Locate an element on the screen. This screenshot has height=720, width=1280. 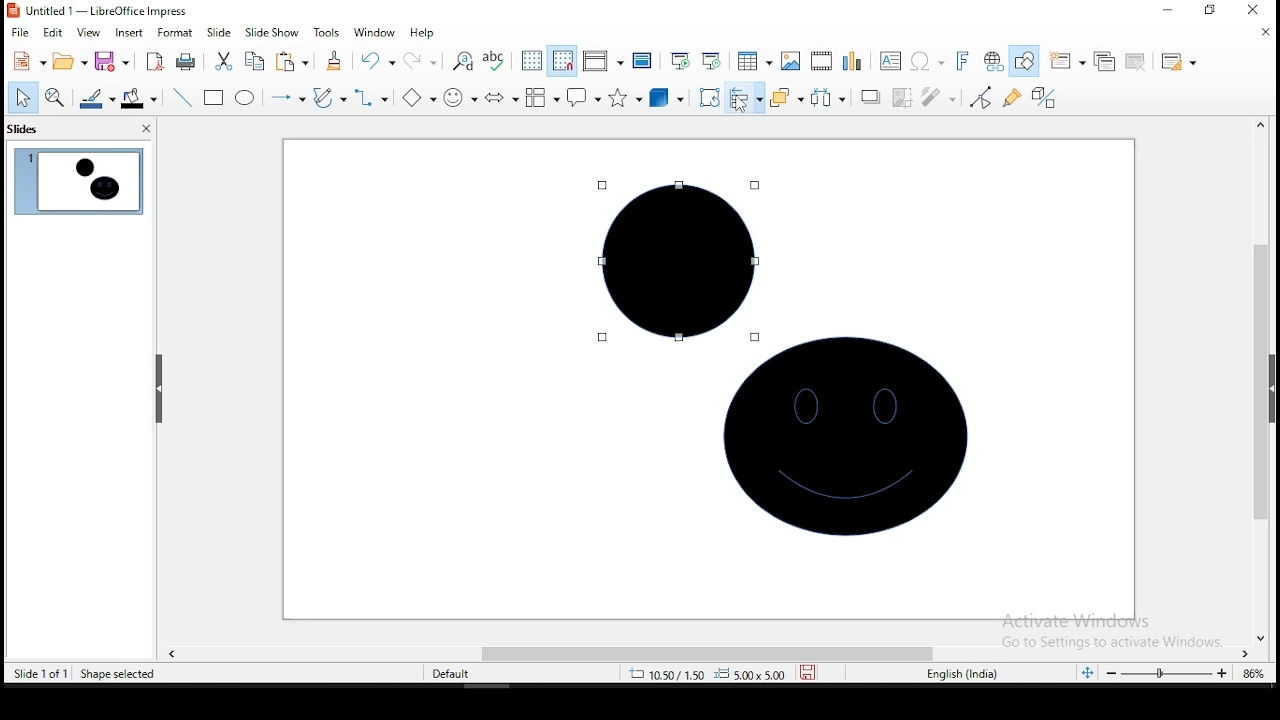
line color is located at coordinates (96, 101).